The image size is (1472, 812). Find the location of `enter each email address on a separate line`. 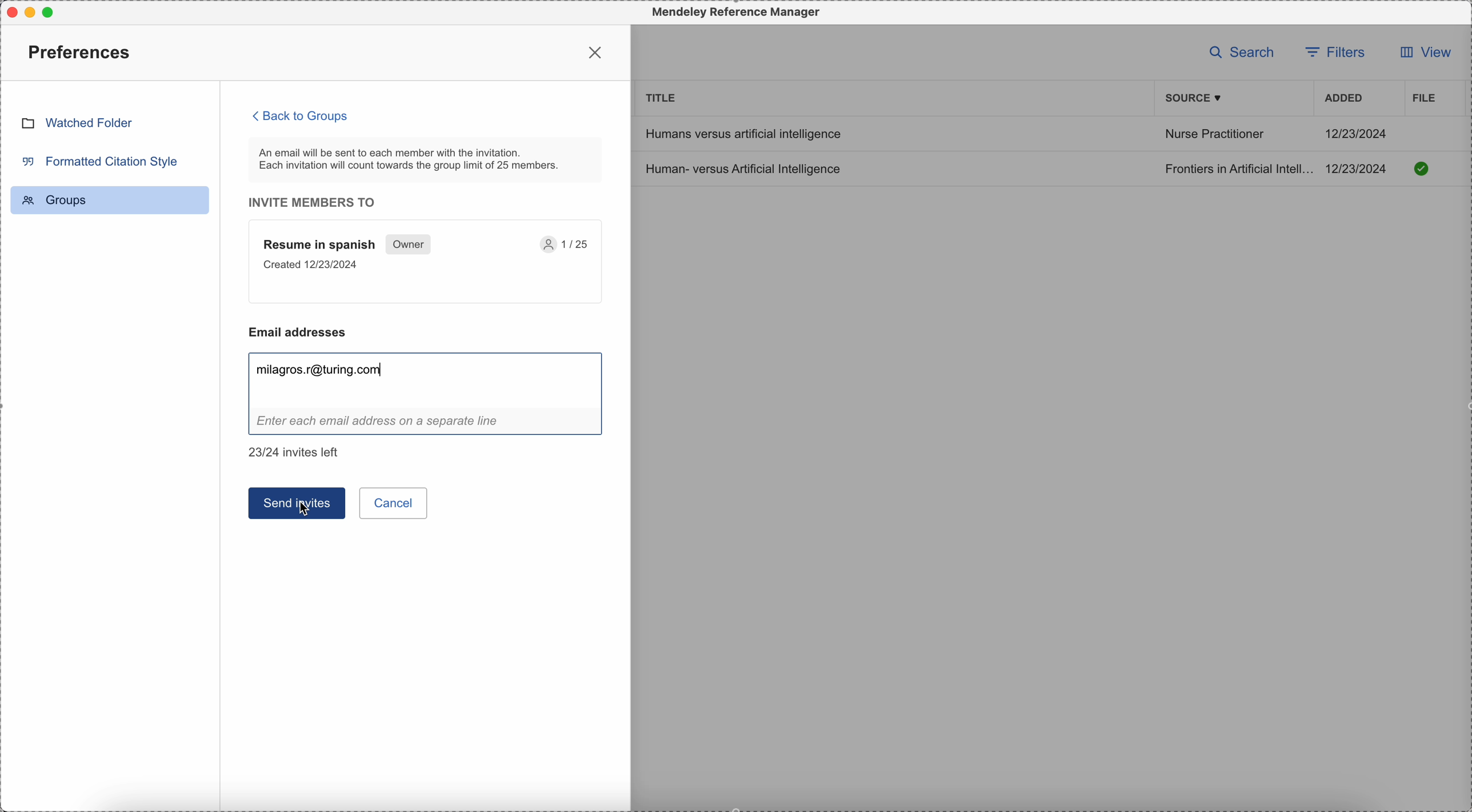

enter each email address on a separate line is located at coordinates (426, 423).